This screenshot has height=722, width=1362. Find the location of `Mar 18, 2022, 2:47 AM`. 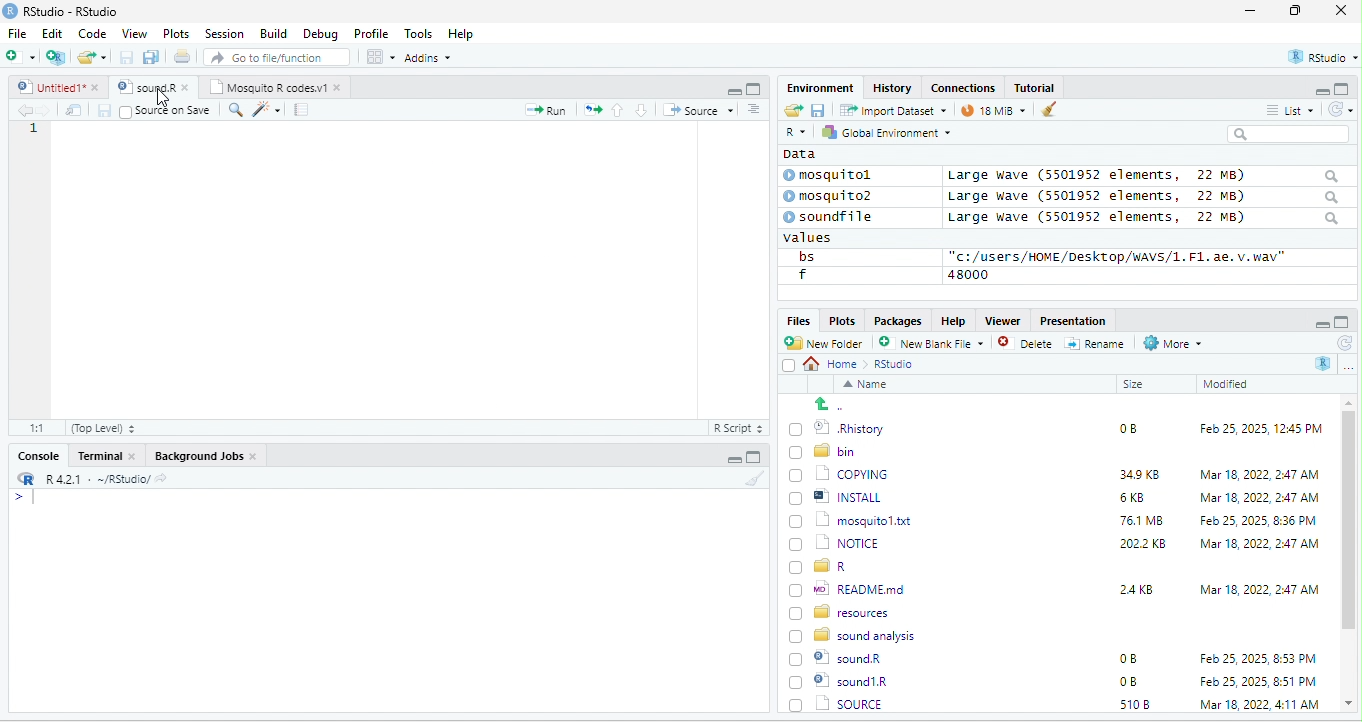

Mar 18, 2022, 2:47 AM is located at coordinates (1259, 588).